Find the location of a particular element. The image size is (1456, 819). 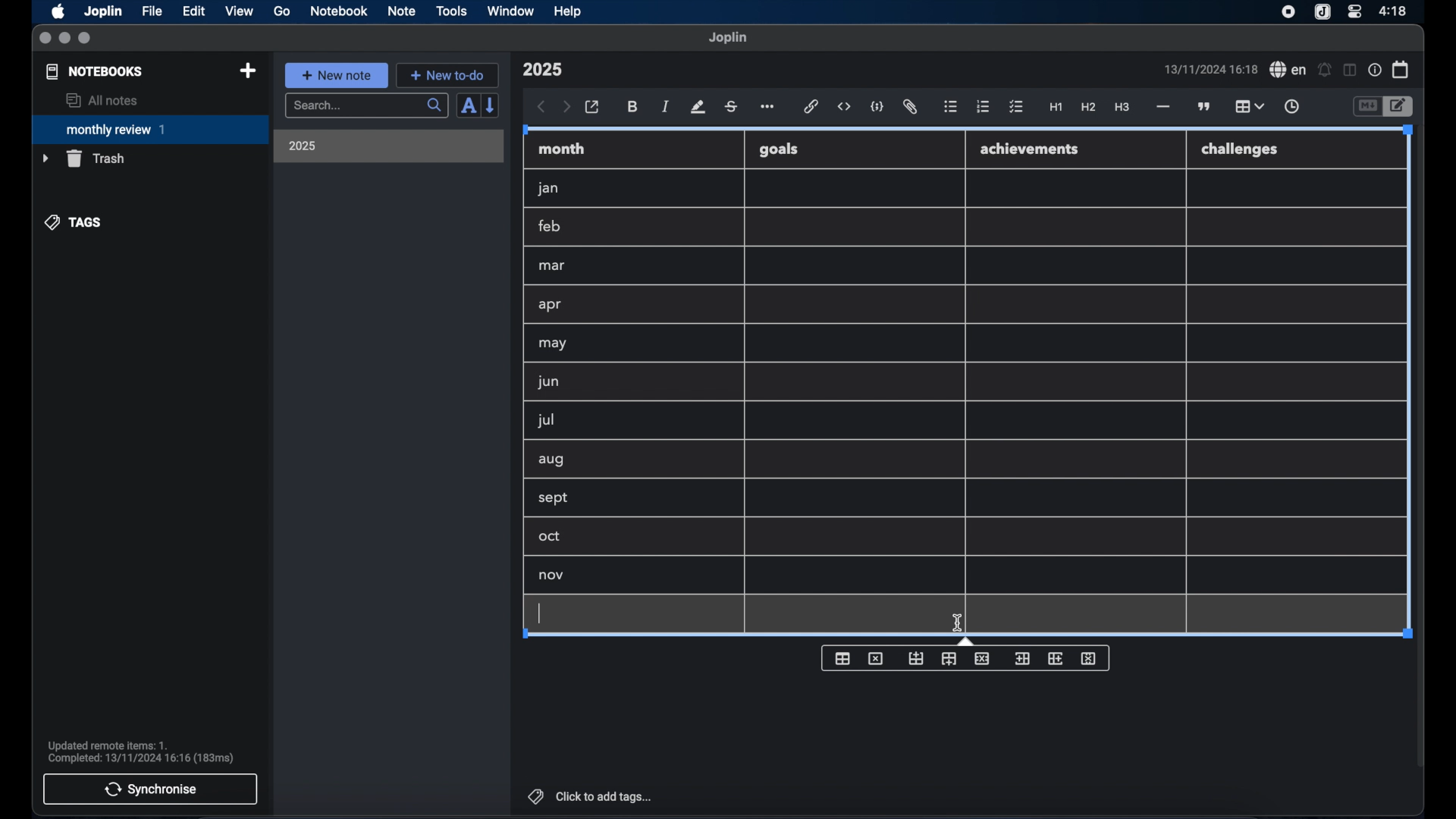

jan is located at coordinates (548, 189).